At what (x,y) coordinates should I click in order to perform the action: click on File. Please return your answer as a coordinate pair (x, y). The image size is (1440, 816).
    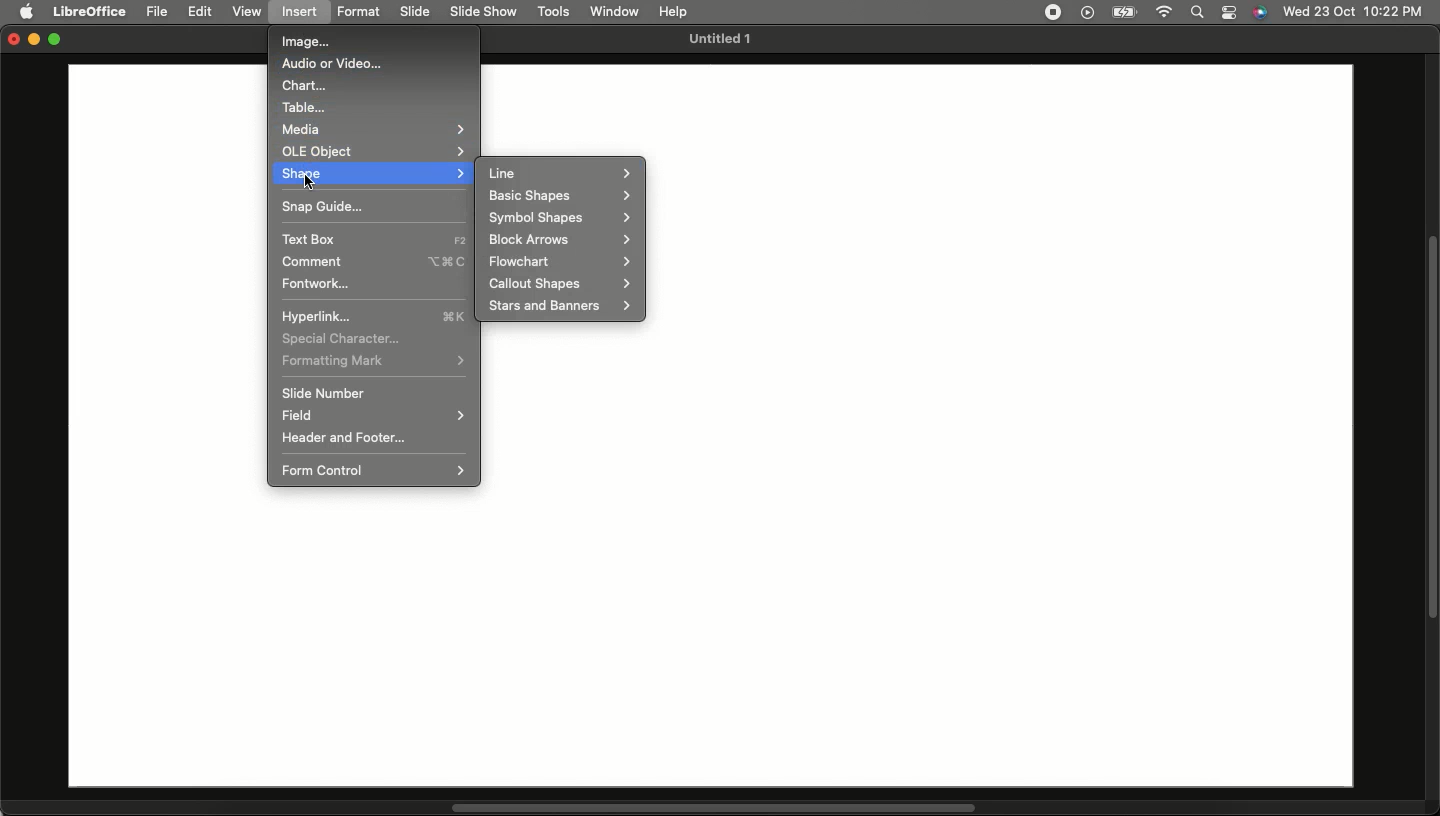
    Looking at the image, I should click on (159, 12).